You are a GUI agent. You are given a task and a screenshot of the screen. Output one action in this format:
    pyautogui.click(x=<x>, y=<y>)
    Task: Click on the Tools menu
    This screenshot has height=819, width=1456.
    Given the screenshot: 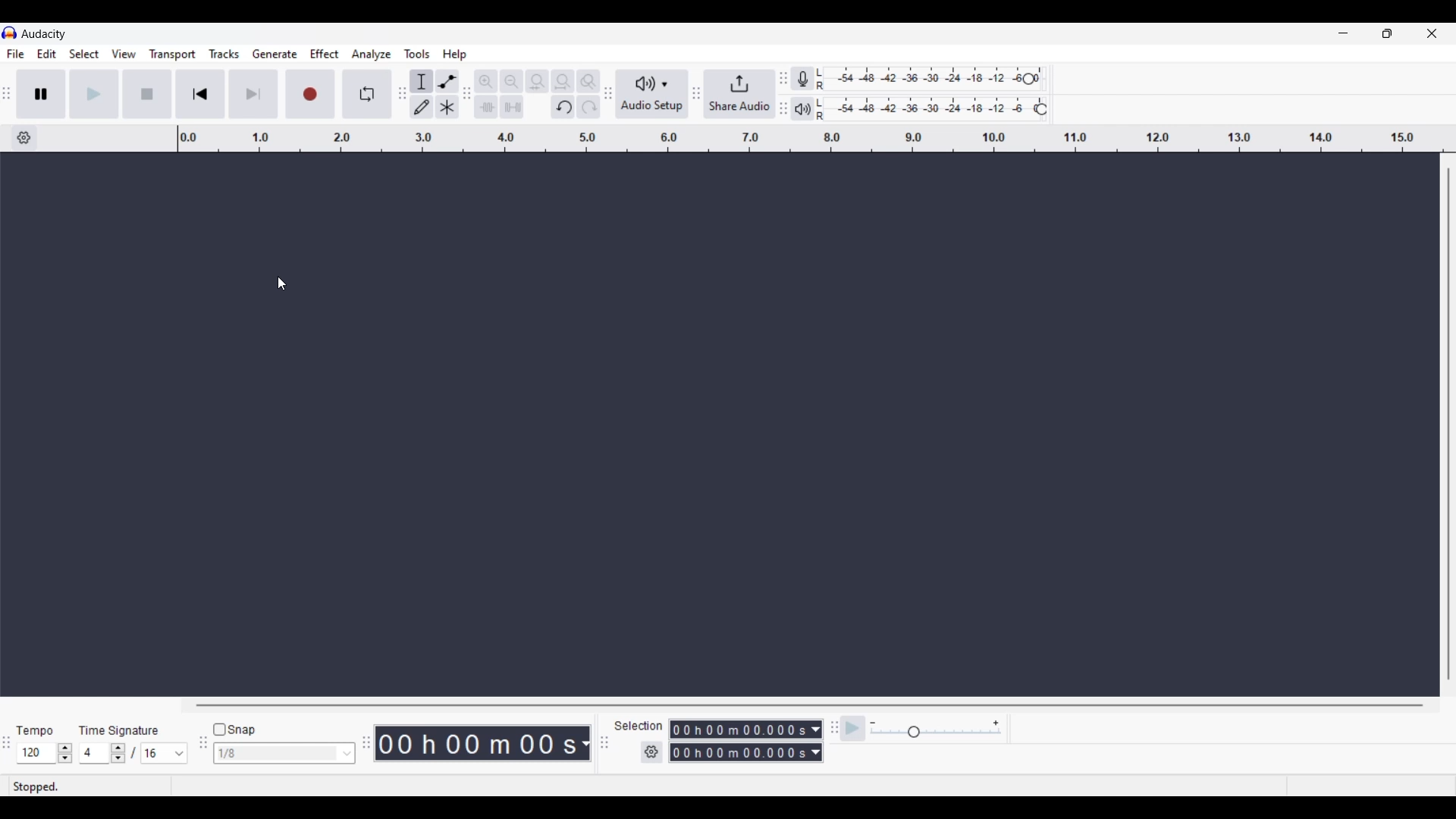 What is the action you would take?
    pyautogui.click(x=417, y=54)
    